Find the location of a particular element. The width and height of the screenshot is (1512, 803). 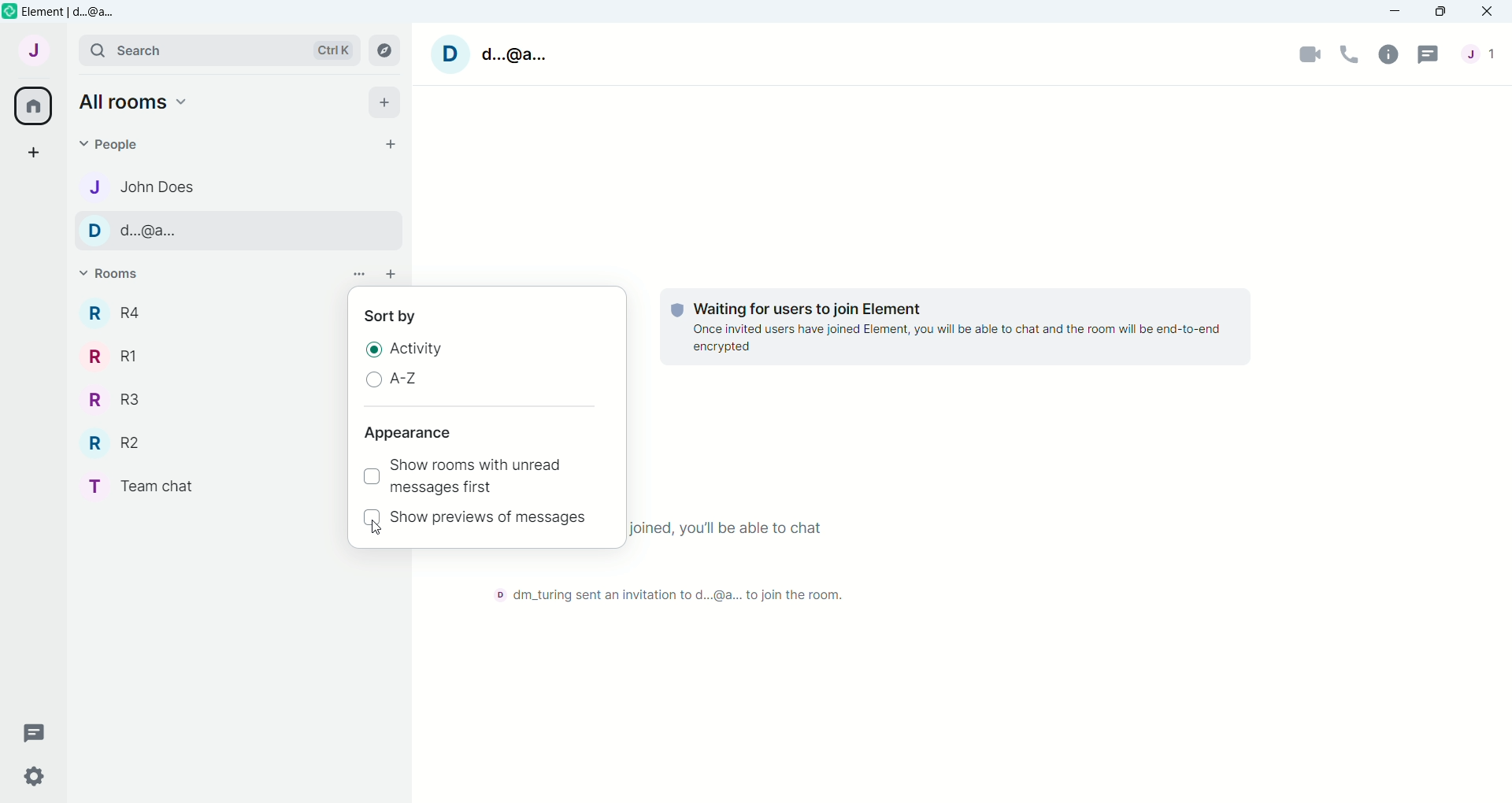

R R2 is located at coordinates (134, 442).